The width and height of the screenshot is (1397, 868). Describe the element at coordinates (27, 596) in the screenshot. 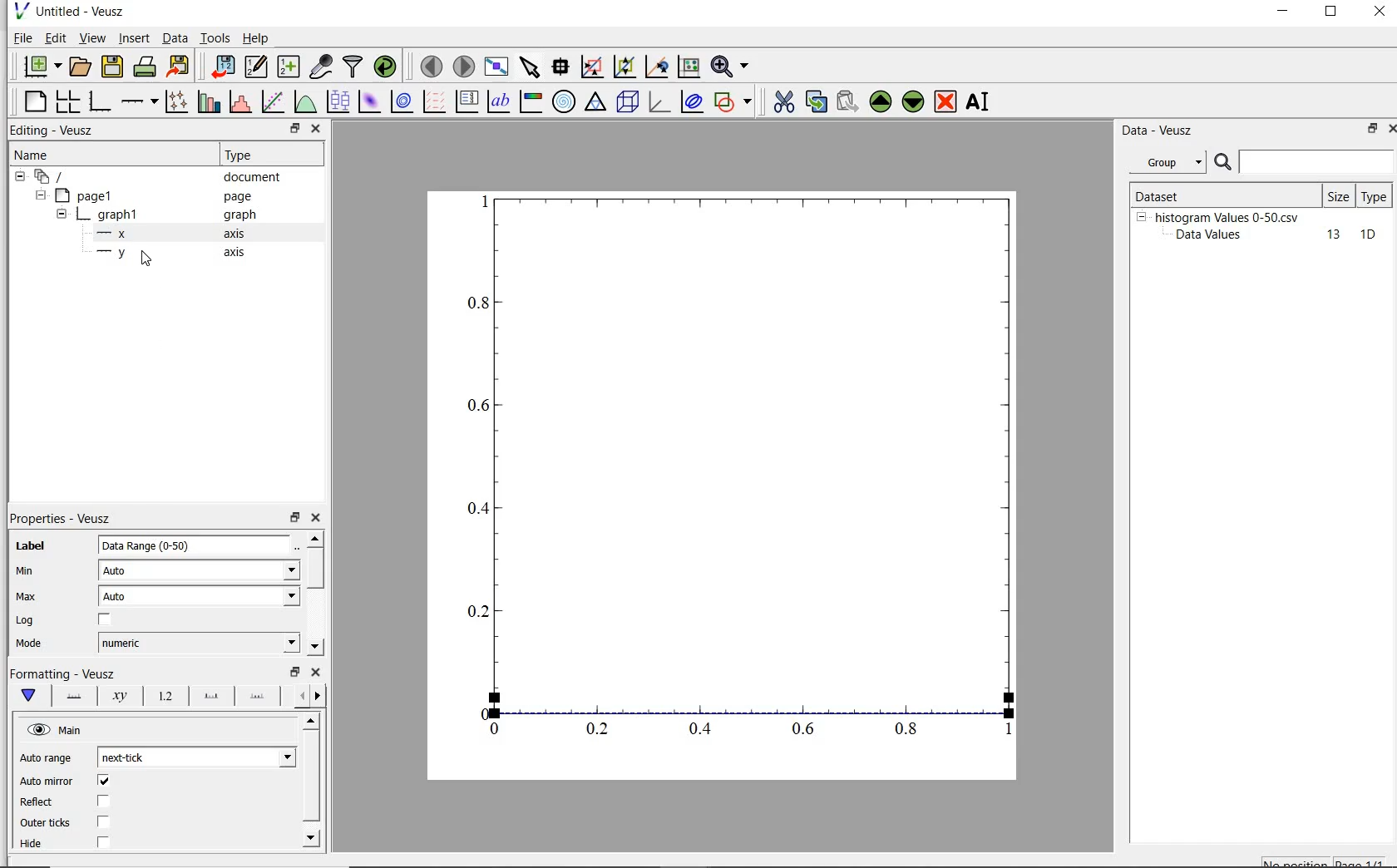

I see `Max` at that location.